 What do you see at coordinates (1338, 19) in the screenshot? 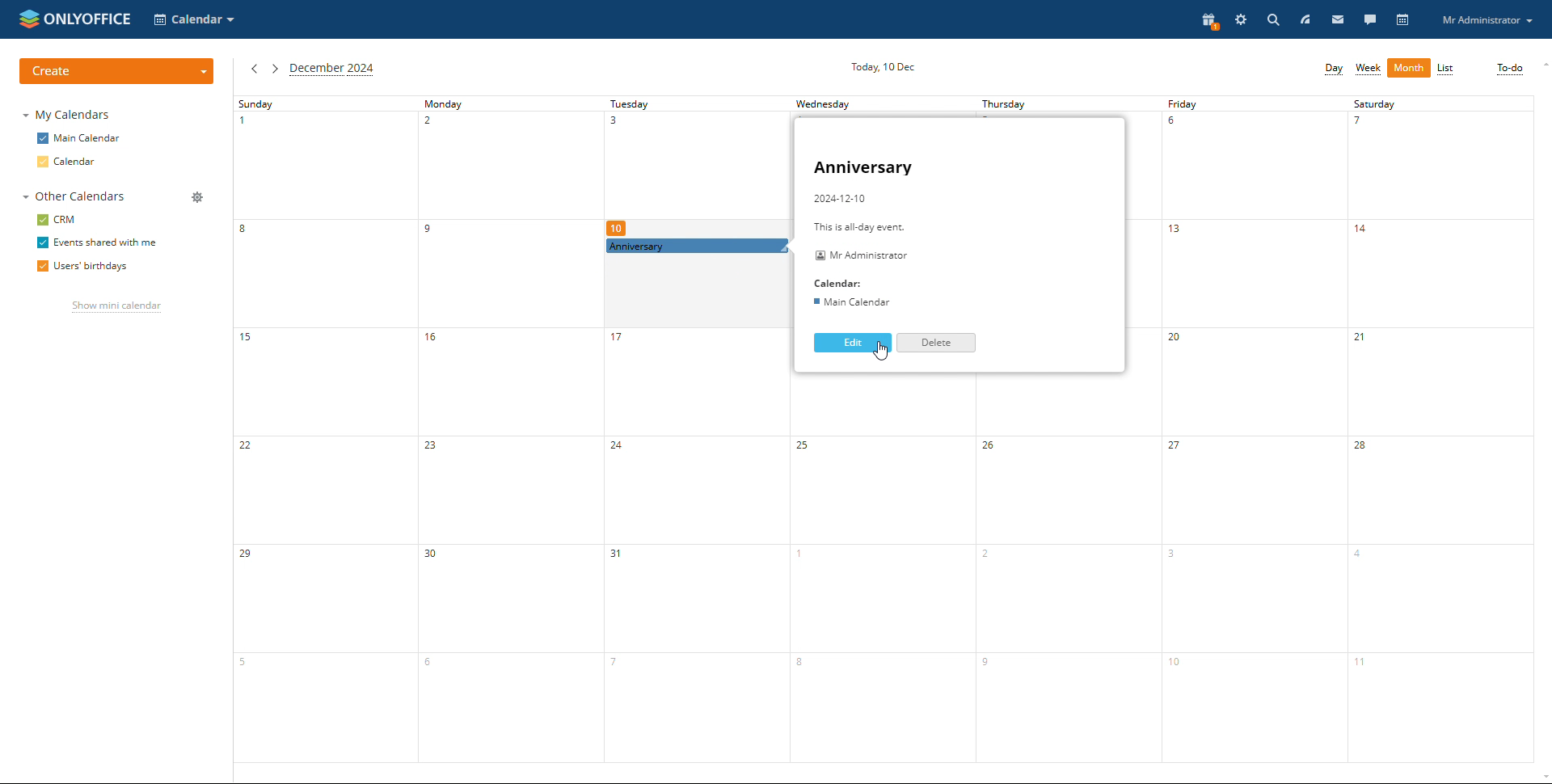
I see `mail` at bounding box center [1338, 19].